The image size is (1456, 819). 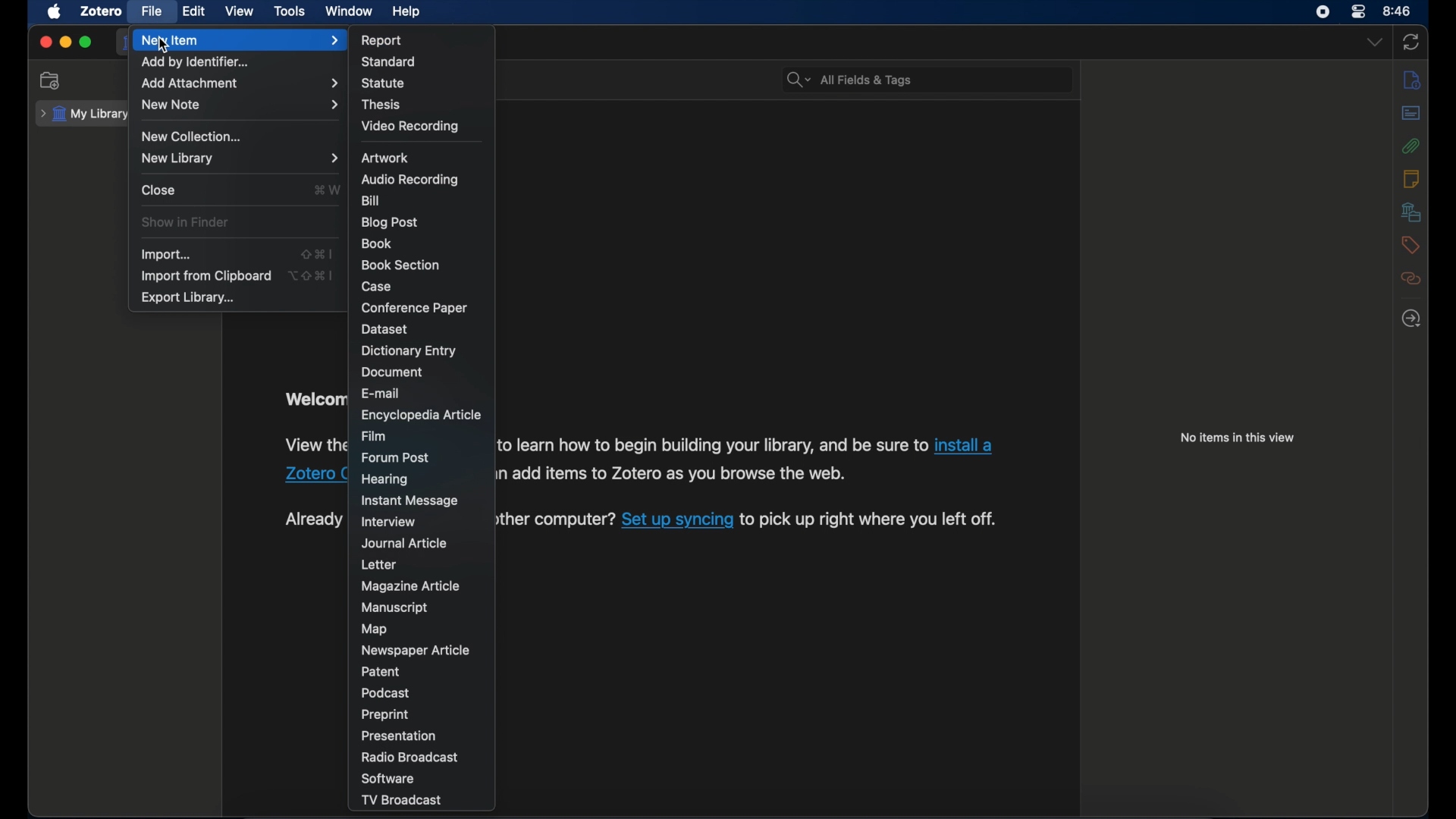 What do you see at coordinates (240, 83) in the screenshot?
I see `add attachment` at bounding box center [240, 83].